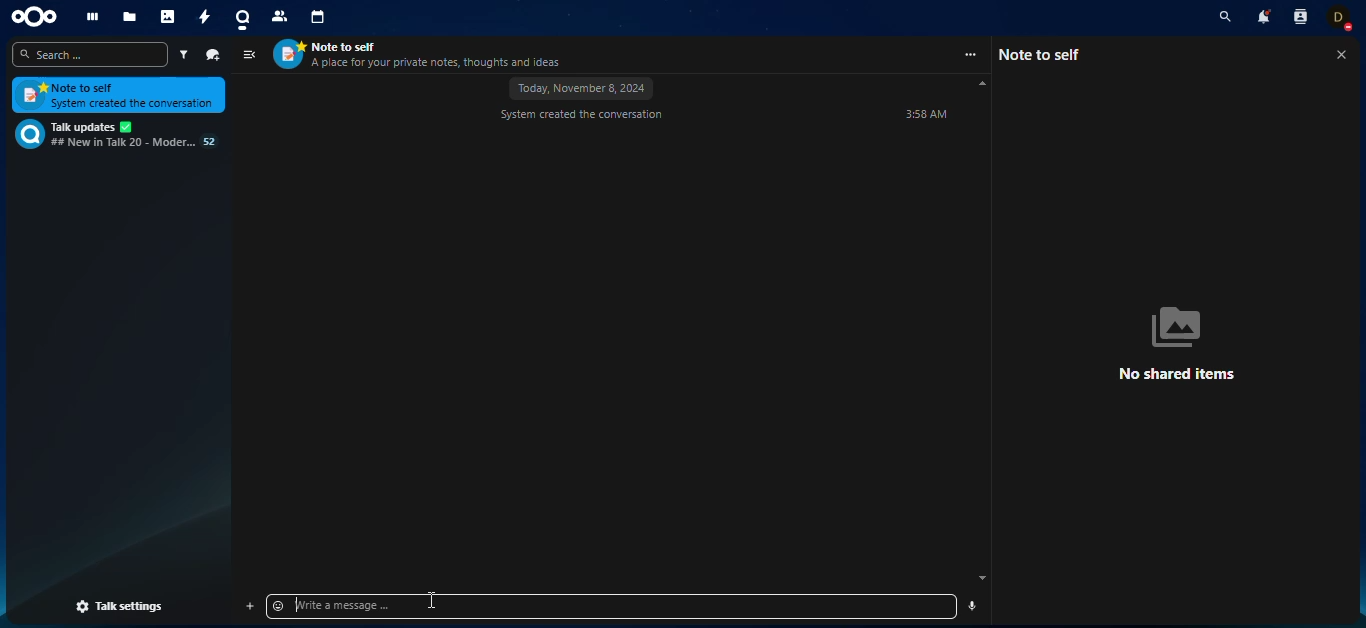 The height and width of the screenshot is (628, 1366). What do you see at coordinates (973, 605) in the screenshot?
I see `record` at bounding box center [973, 605].